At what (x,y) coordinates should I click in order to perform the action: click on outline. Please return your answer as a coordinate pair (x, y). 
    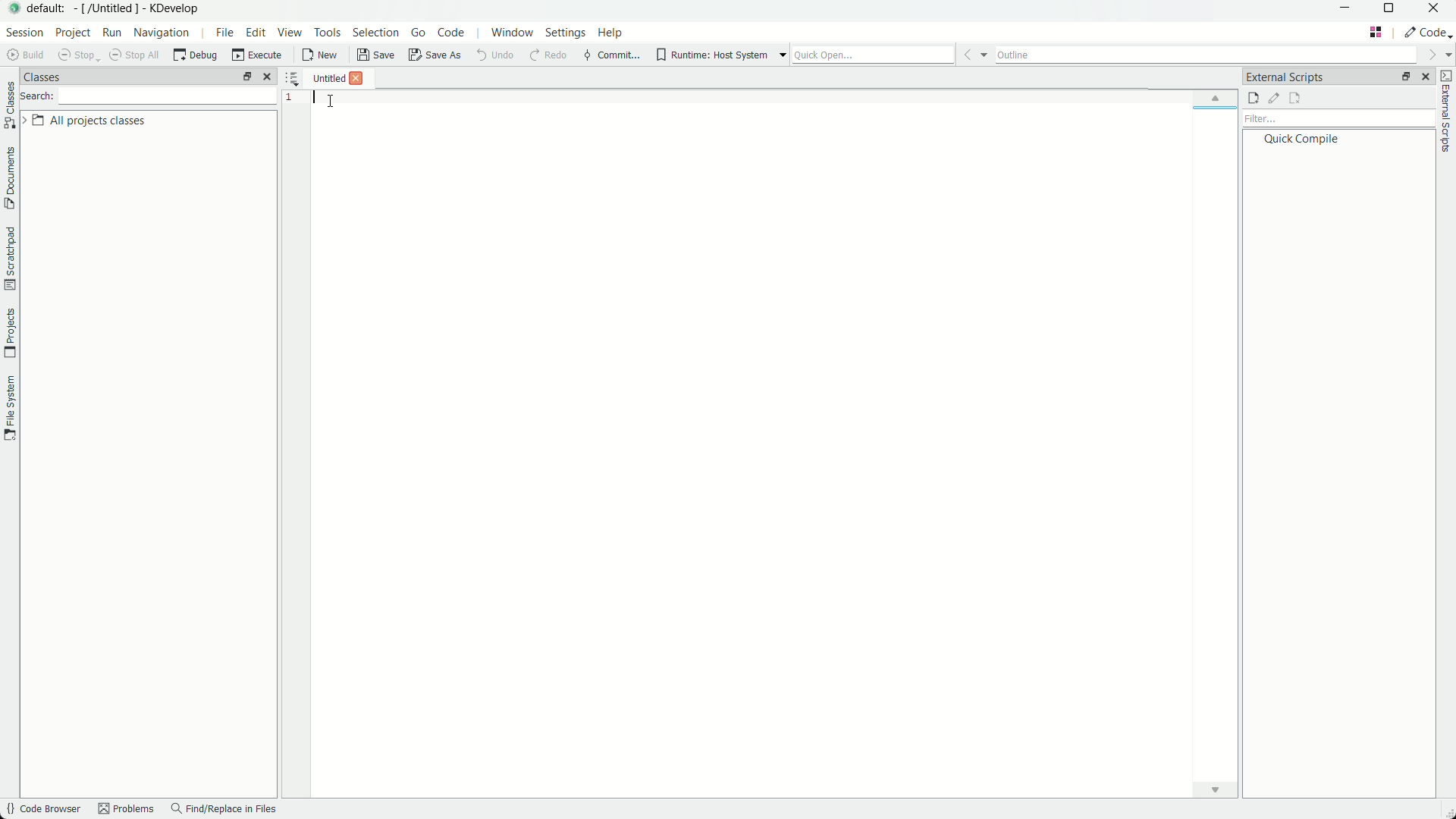
    Looking at the image, I should click on (1223, 55).